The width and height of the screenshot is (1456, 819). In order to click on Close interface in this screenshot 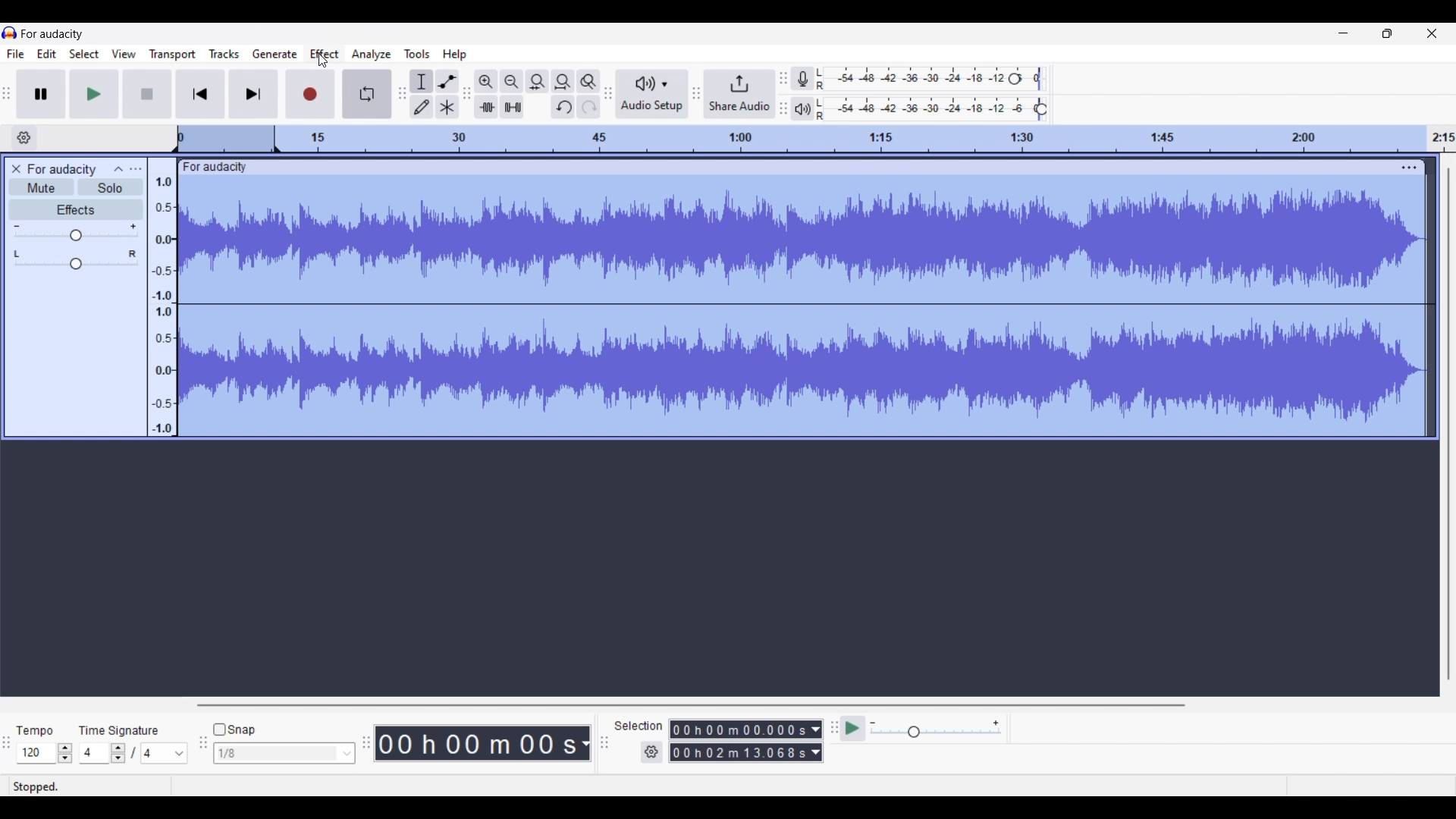, I will do `click(1432, 33)`.